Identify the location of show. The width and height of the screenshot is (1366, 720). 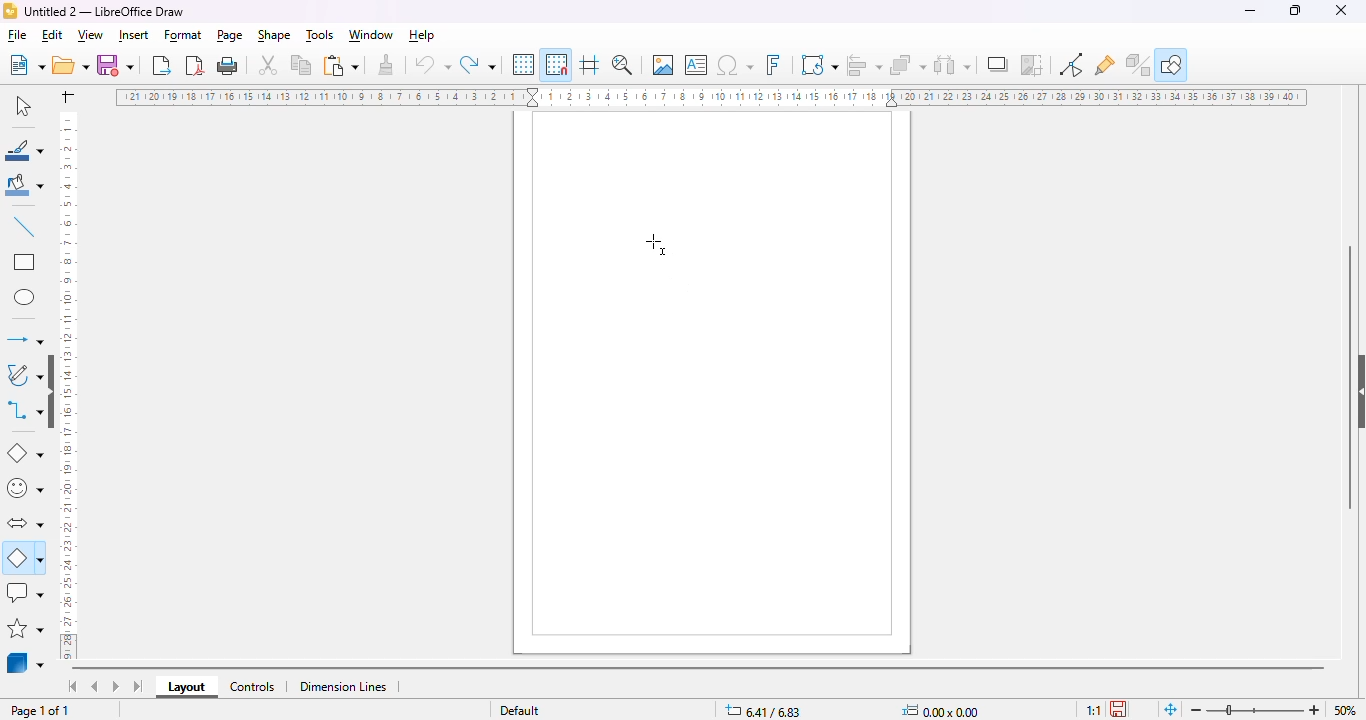
(1357, 394).